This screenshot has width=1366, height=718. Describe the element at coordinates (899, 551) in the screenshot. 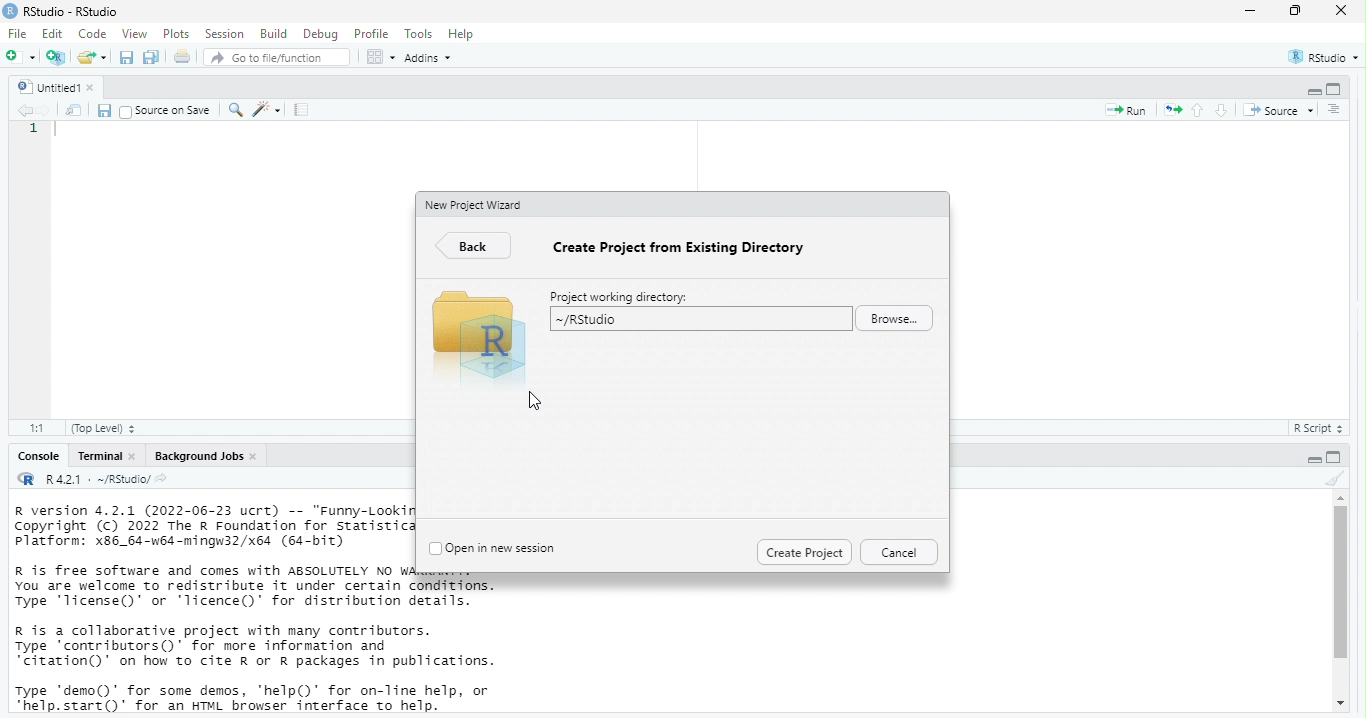

I see `cancel` at that location.